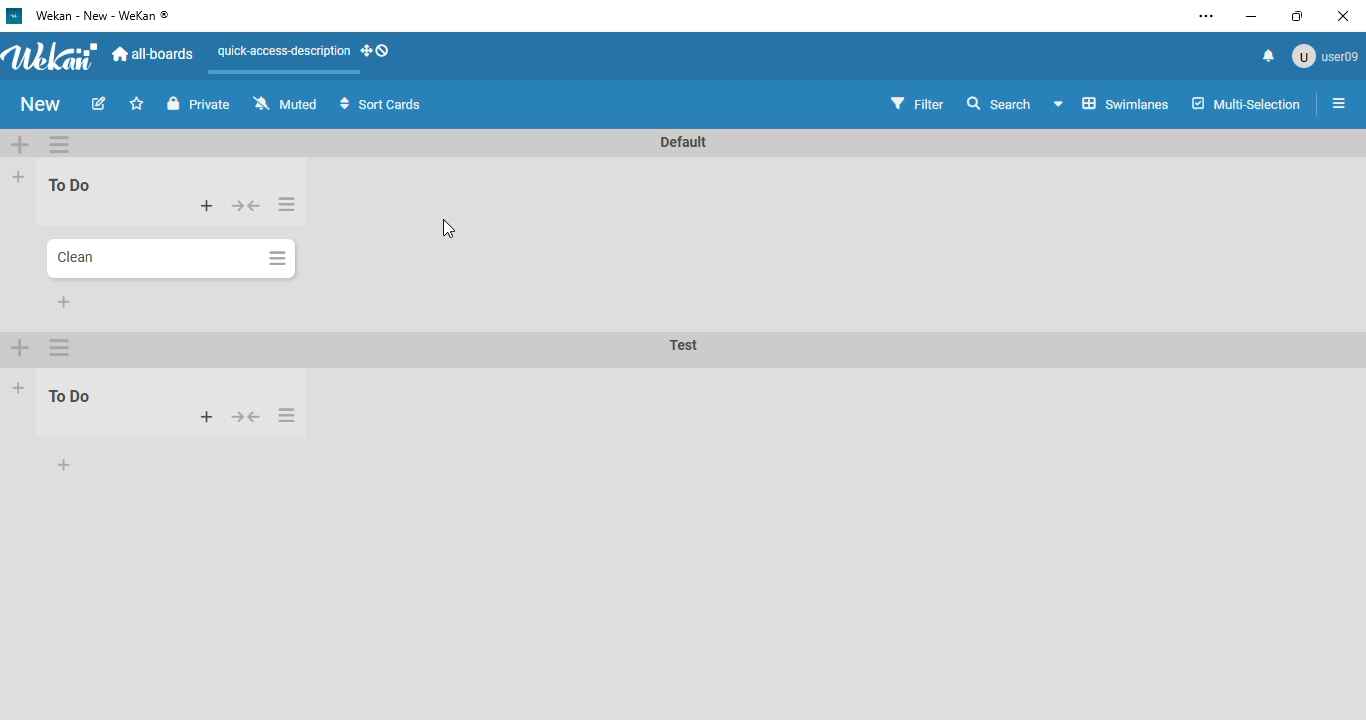 The image size is (1366, 720). Describe the element at coordinates (68, 185) in the screenshot. I see `list name` at that location.